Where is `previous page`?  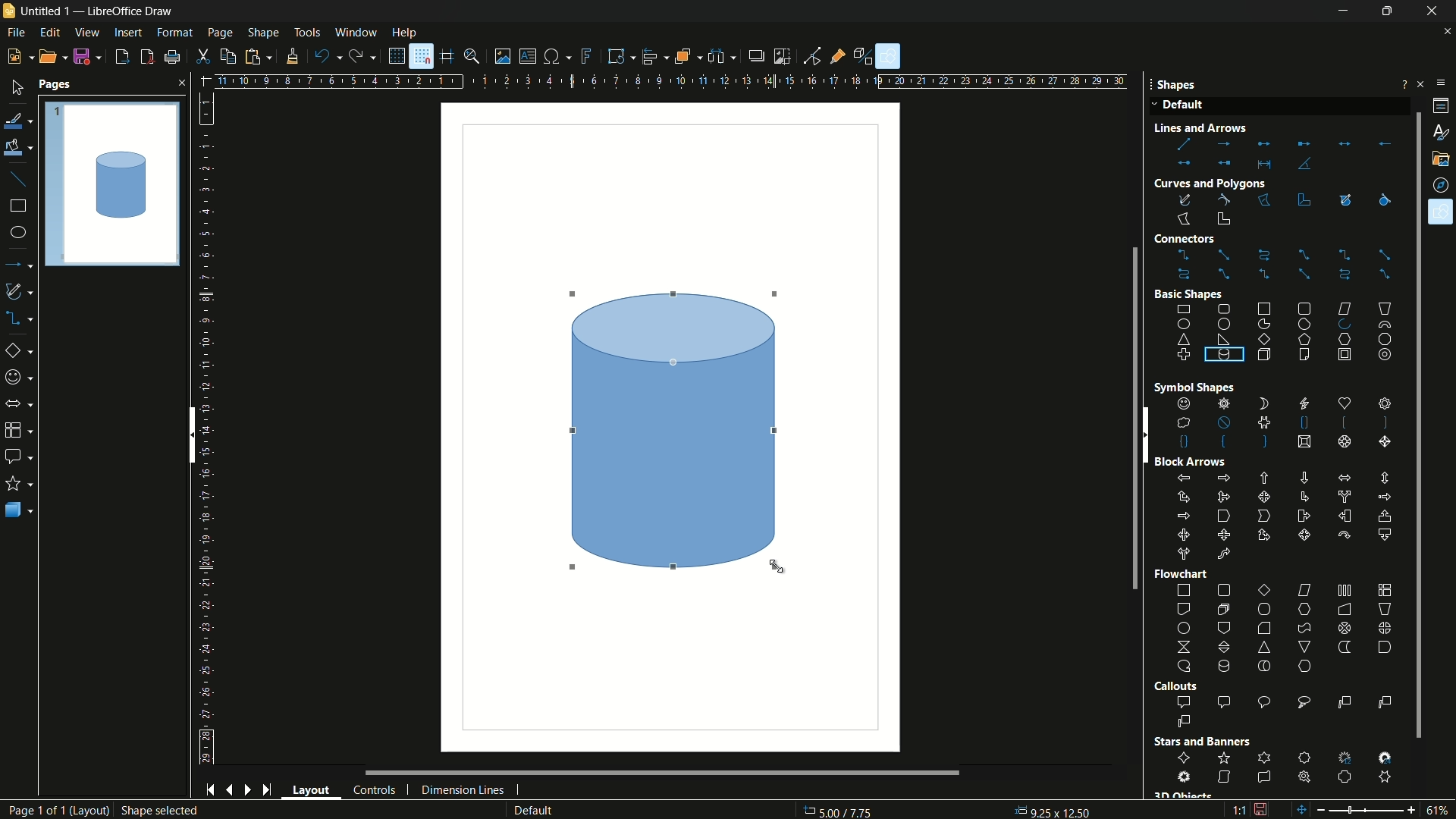 previous page is located at coordinates (230, 792).